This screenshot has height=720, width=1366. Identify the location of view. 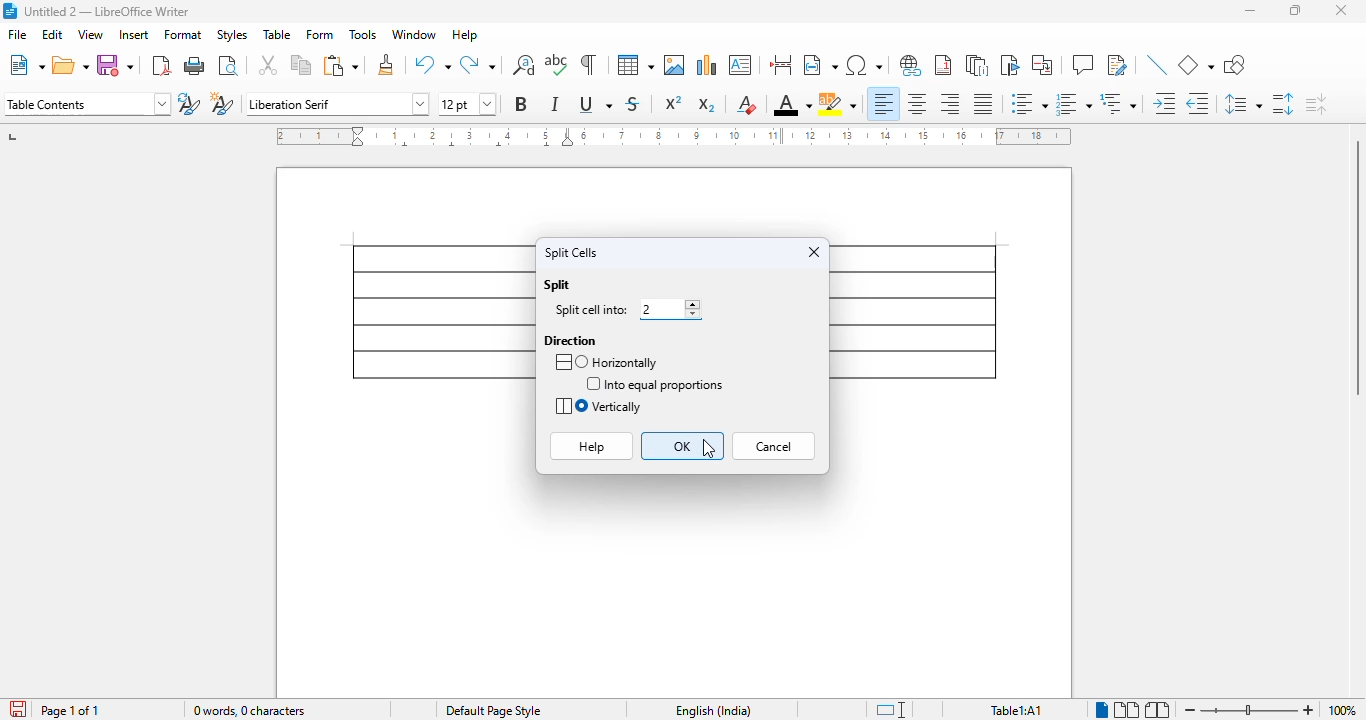
(90, 34).